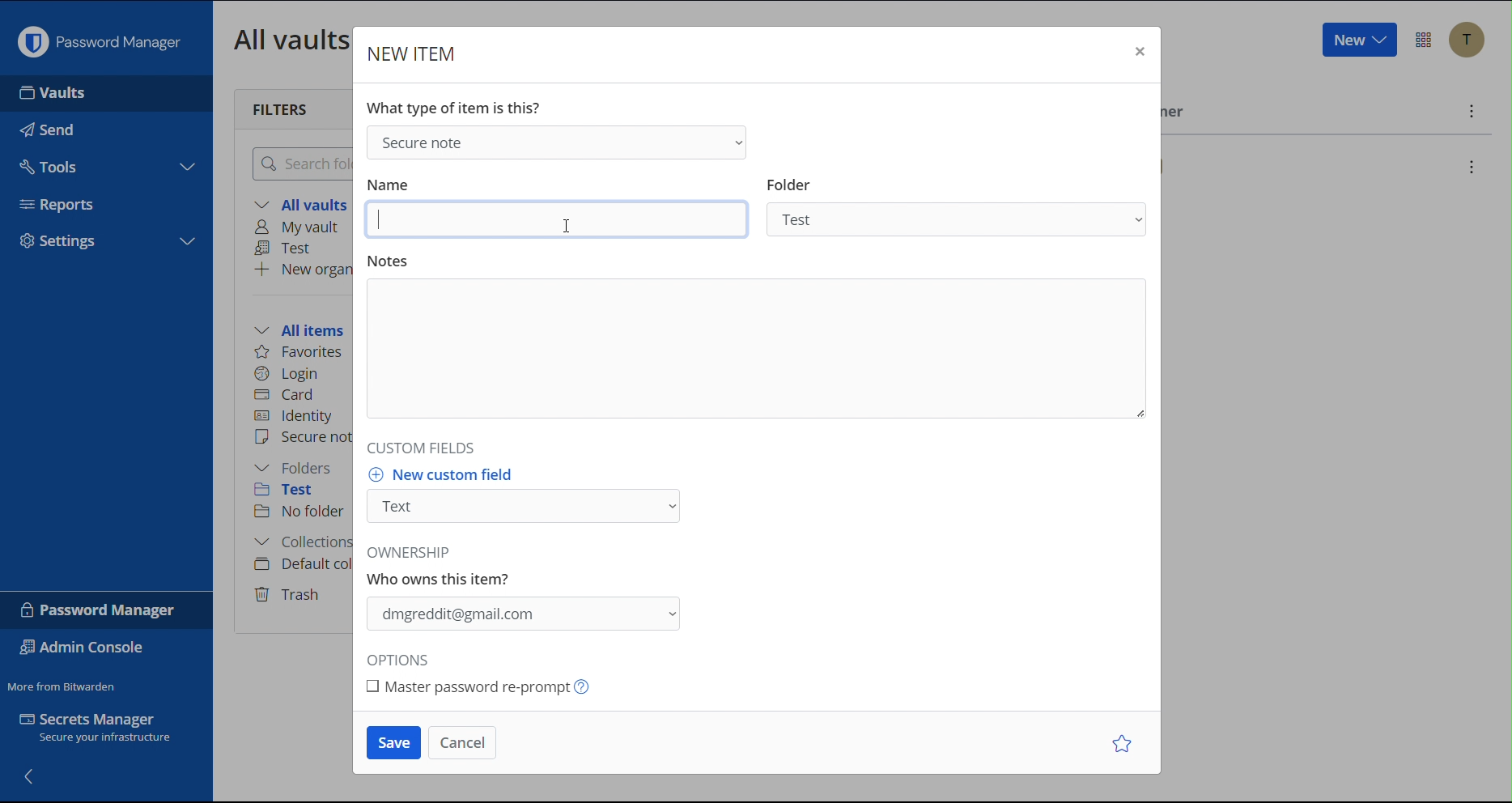 The height and width of the screenshot is (803, 1512). What do you see at coordinates (295, 492) in the screenshot?
I see `Test` at bounding box center [295, 492].